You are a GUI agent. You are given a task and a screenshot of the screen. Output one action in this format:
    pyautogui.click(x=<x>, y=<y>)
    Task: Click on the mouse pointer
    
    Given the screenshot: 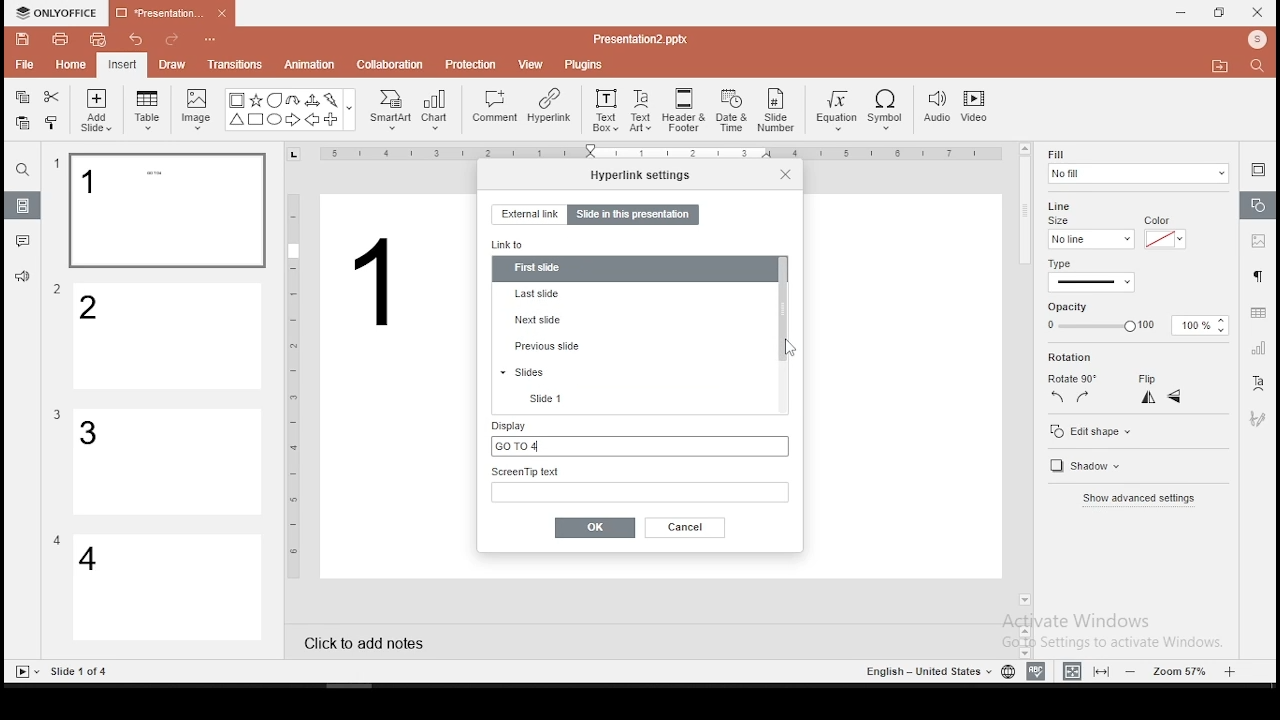 What is the action you would take?
    pyautogui.click(x=790, y=346)
    